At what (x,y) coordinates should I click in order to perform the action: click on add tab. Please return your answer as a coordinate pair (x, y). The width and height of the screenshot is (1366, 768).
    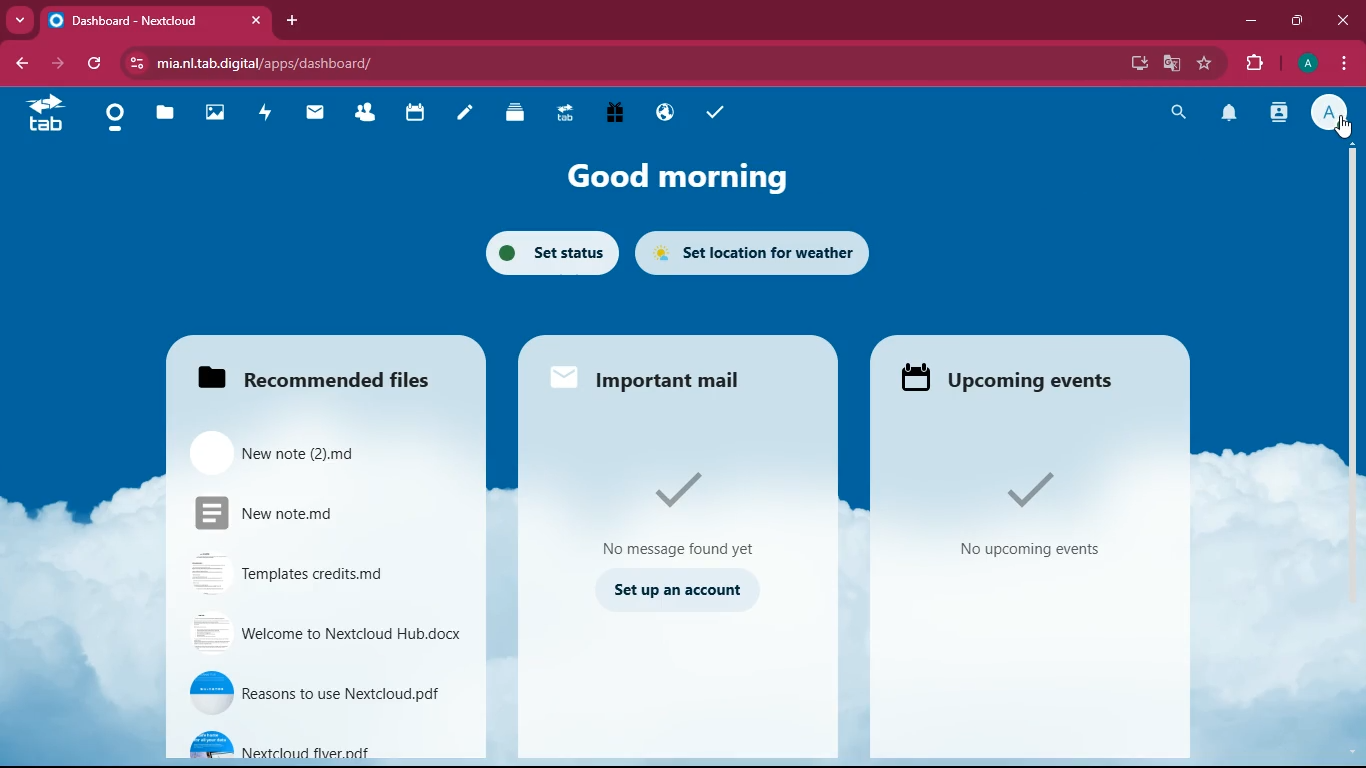
    Looking at the image, I should click on (293, 20).